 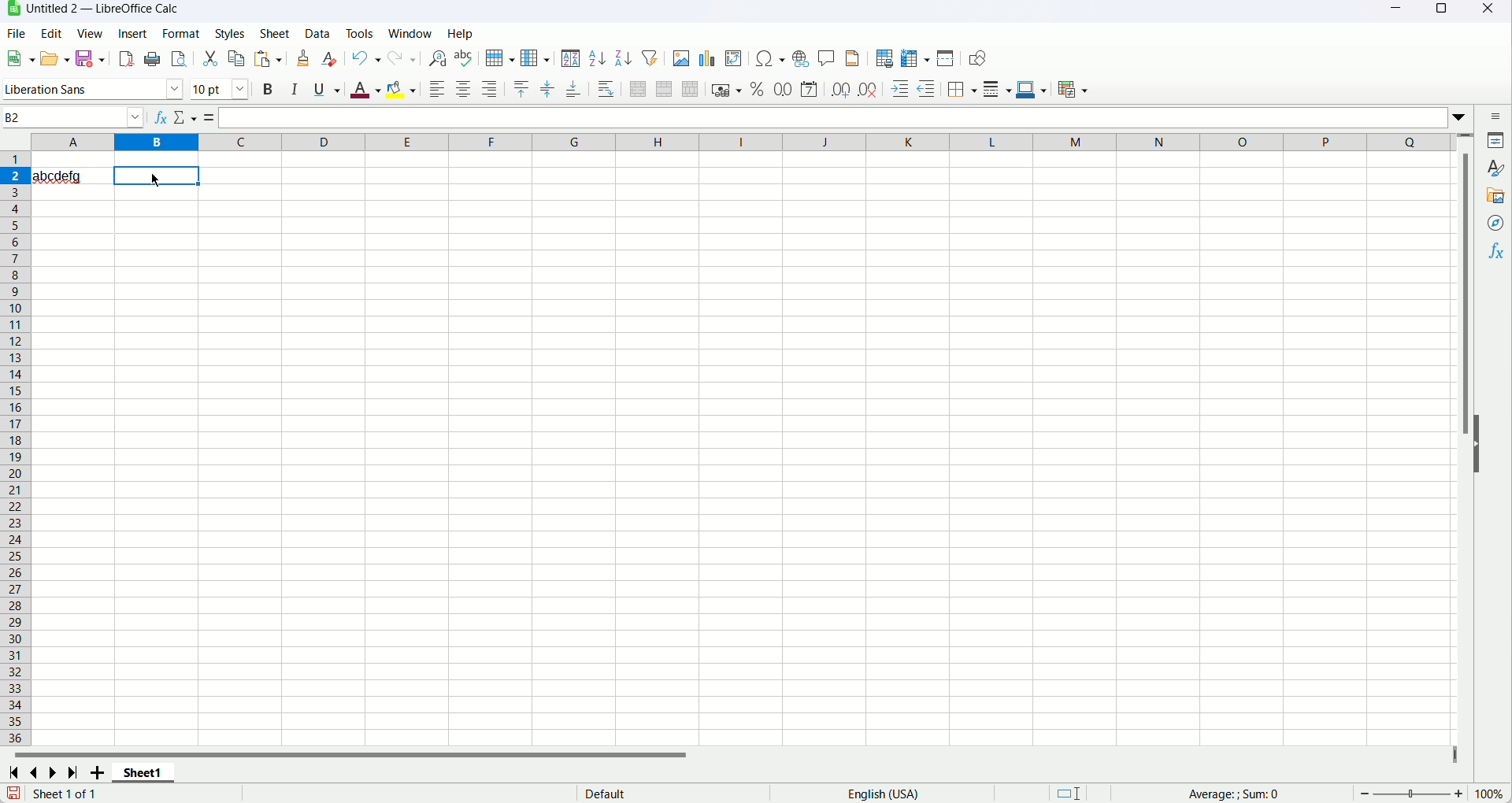 What do you see at coordinates (867, 89) in the screenshot?
I see `delete decimal` at bounding box center [867, 89].